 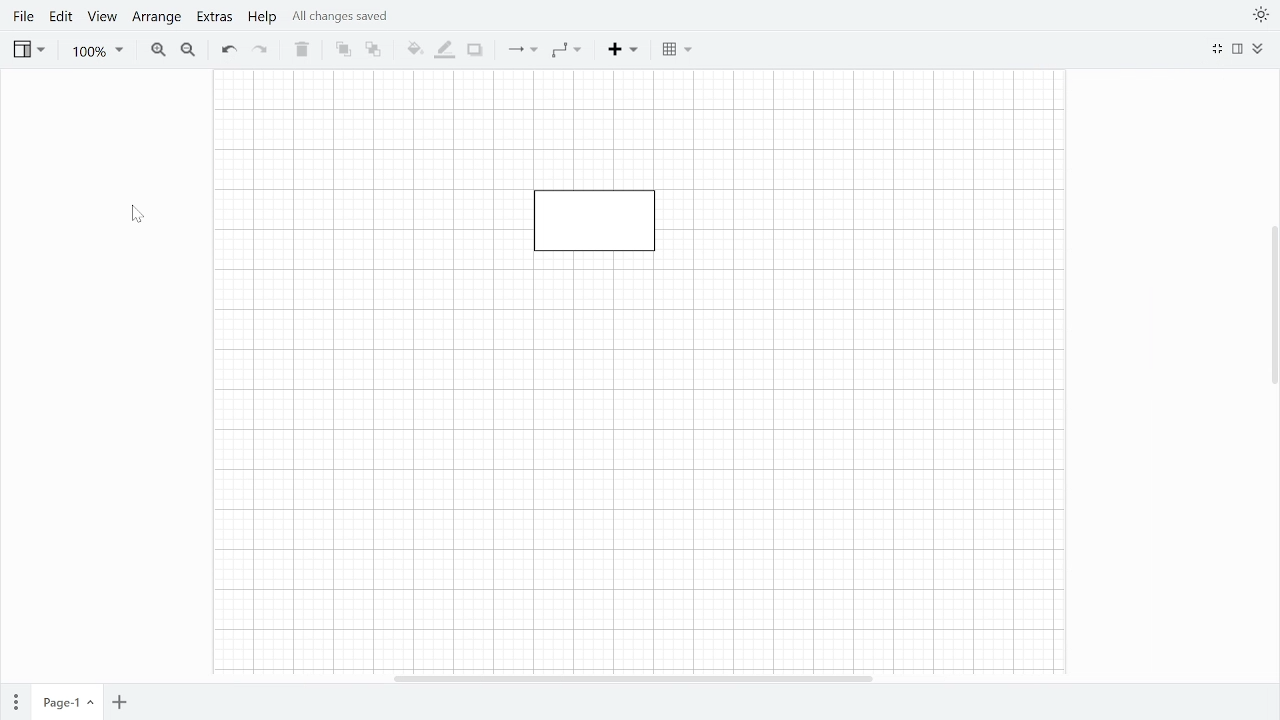 I want to click on Insert, so click(x=624, y=52).